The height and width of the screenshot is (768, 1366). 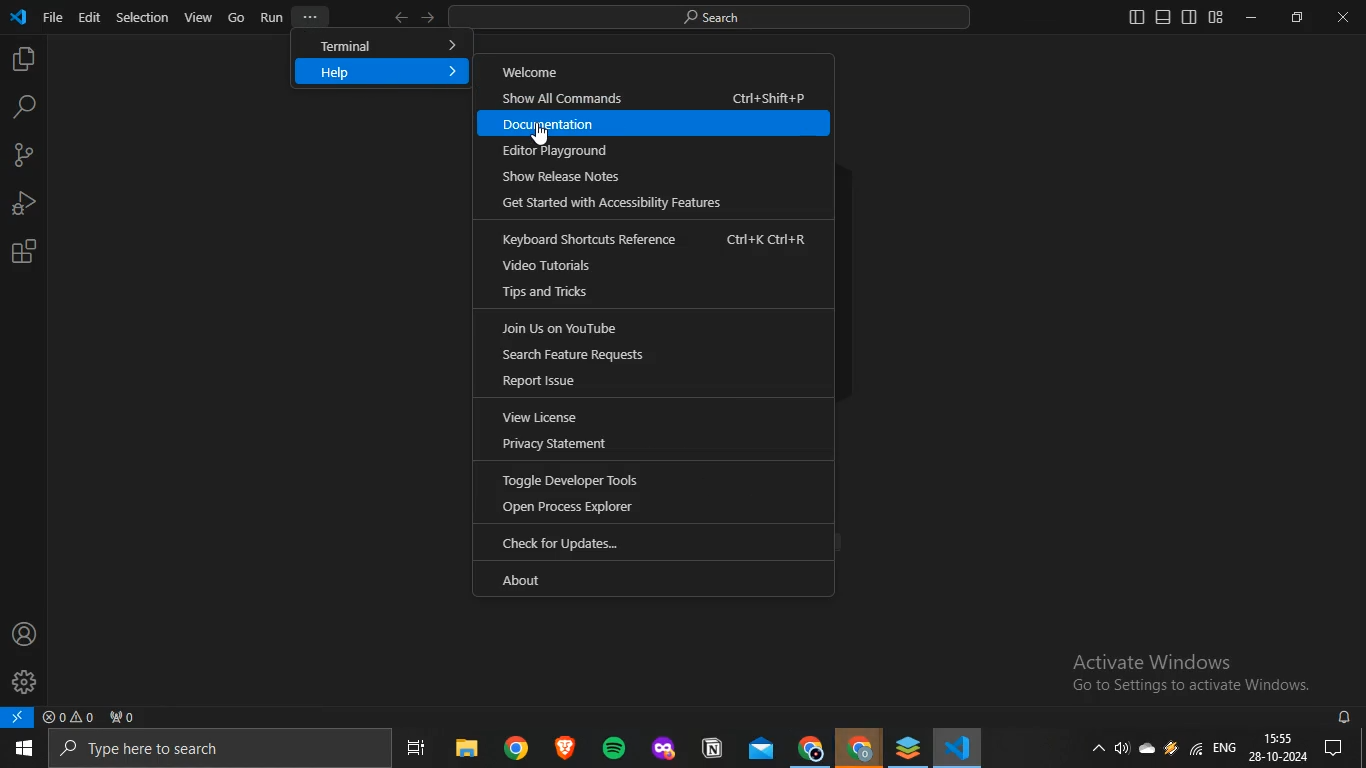 What do you see at coordinates (642, 577) in the screenshot?
I see `About` at bounding box center [642, 577].